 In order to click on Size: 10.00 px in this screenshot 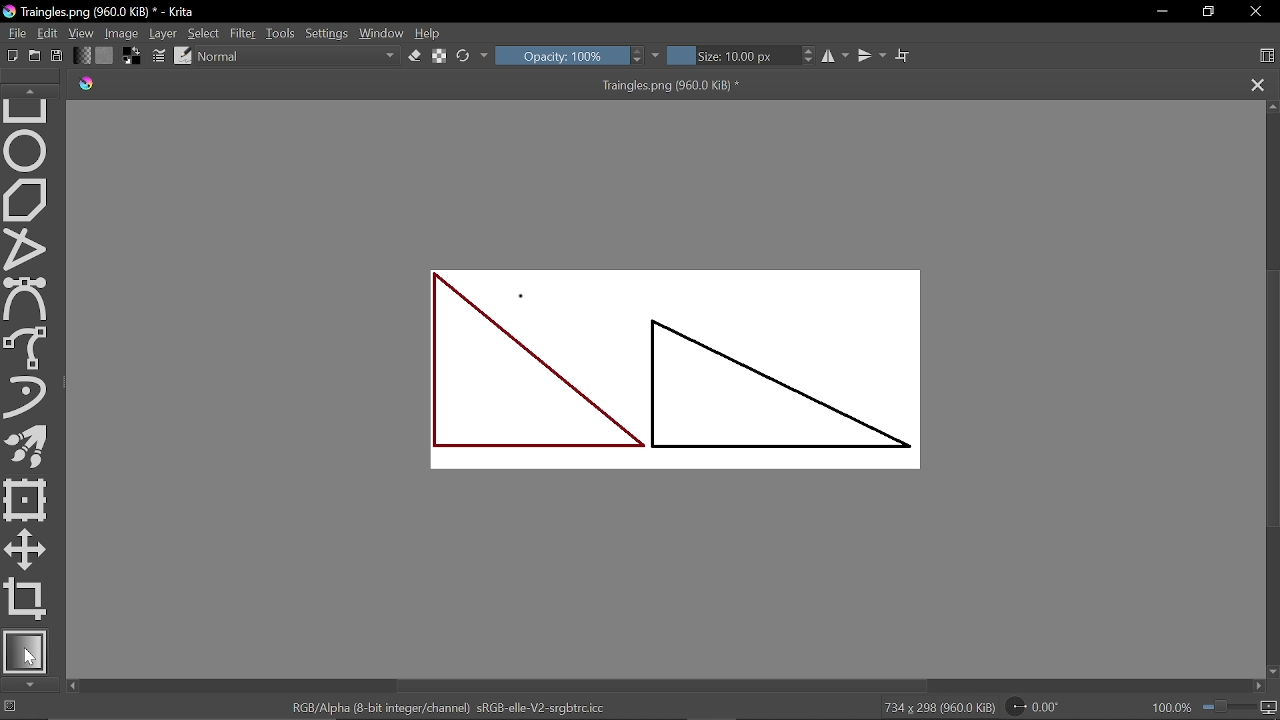, I will do `click(731, 57)`.